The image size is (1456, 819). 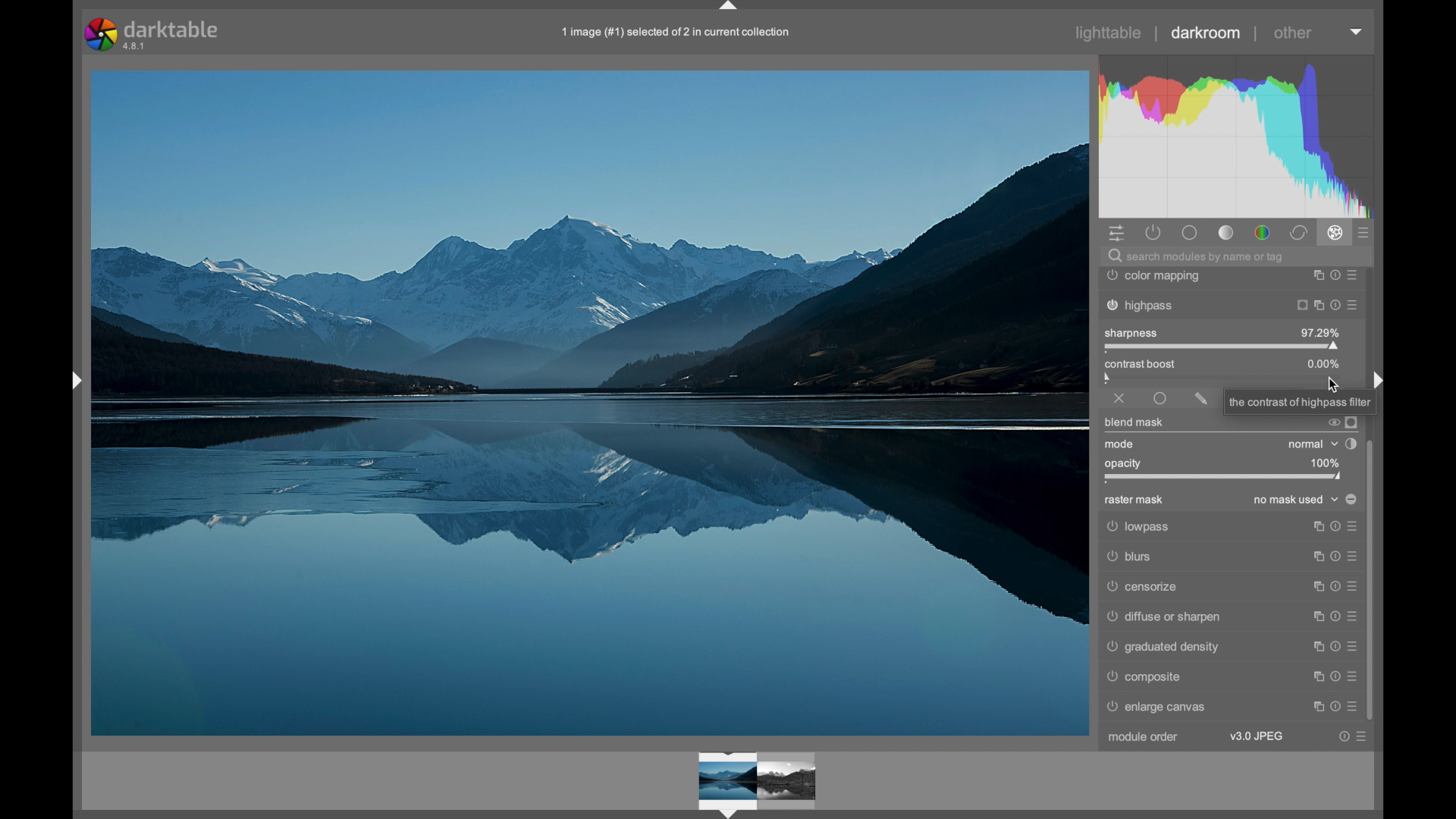 I want to click on 100%, so click(x=1323, y=463).